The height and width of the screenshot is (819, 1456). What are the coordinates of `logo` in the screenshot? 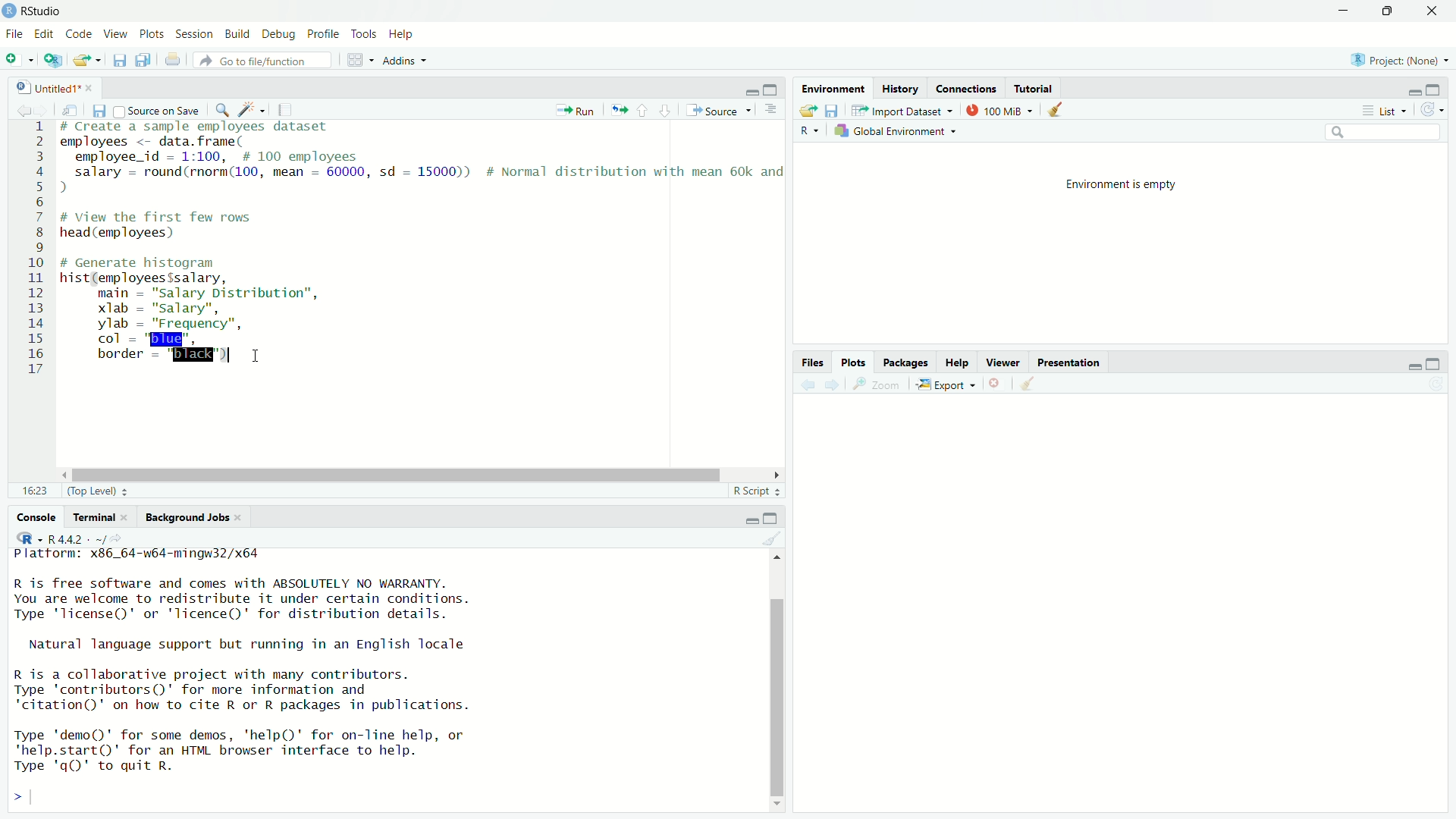 It's located at (9, 10).